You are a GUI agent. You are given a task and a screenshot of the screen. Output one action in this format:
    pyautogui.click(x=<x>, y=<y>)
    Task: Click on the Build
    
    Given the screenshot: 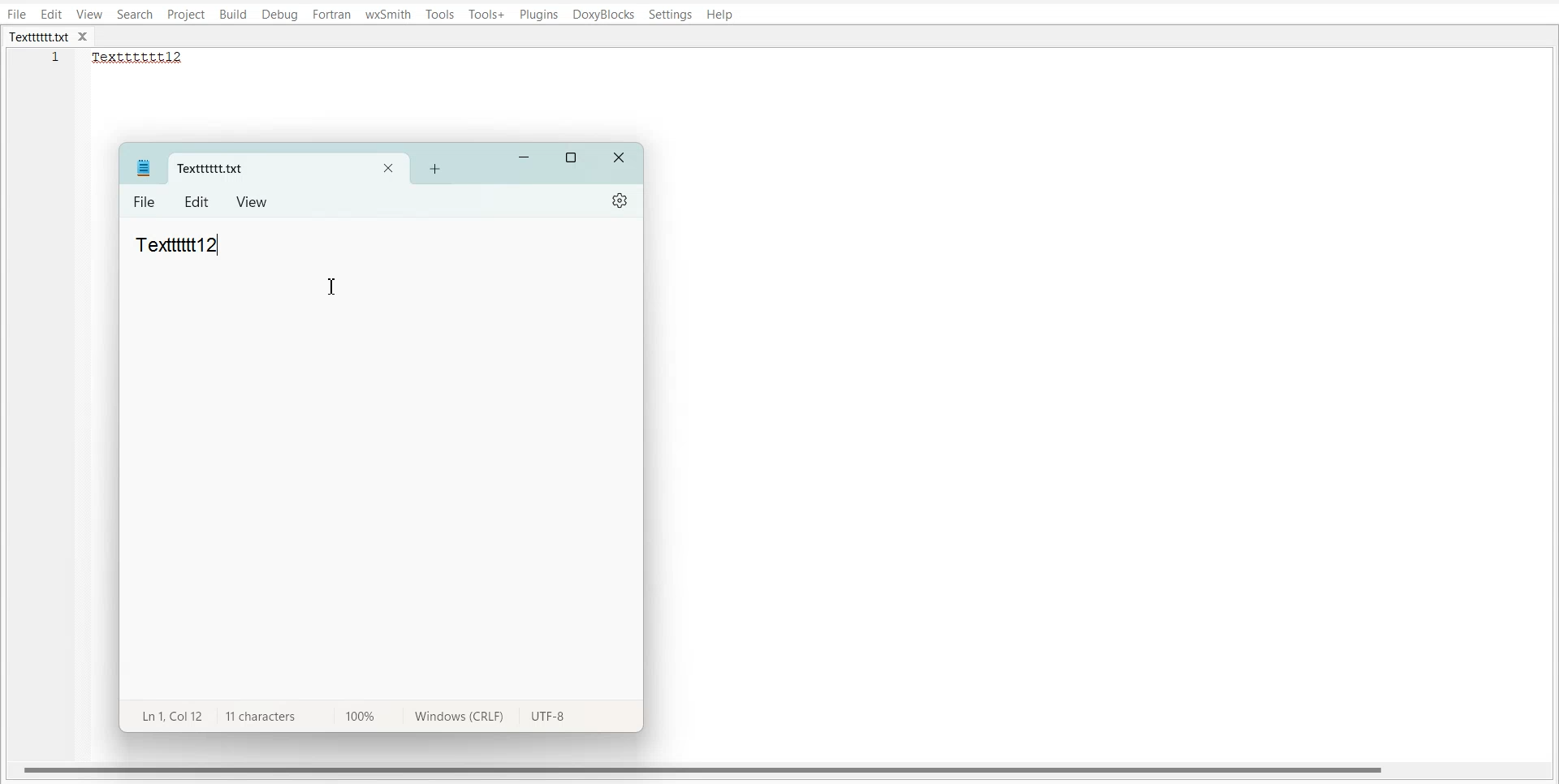 What is the action you would take?
    pyautogui.click(x=233, y=15)
    